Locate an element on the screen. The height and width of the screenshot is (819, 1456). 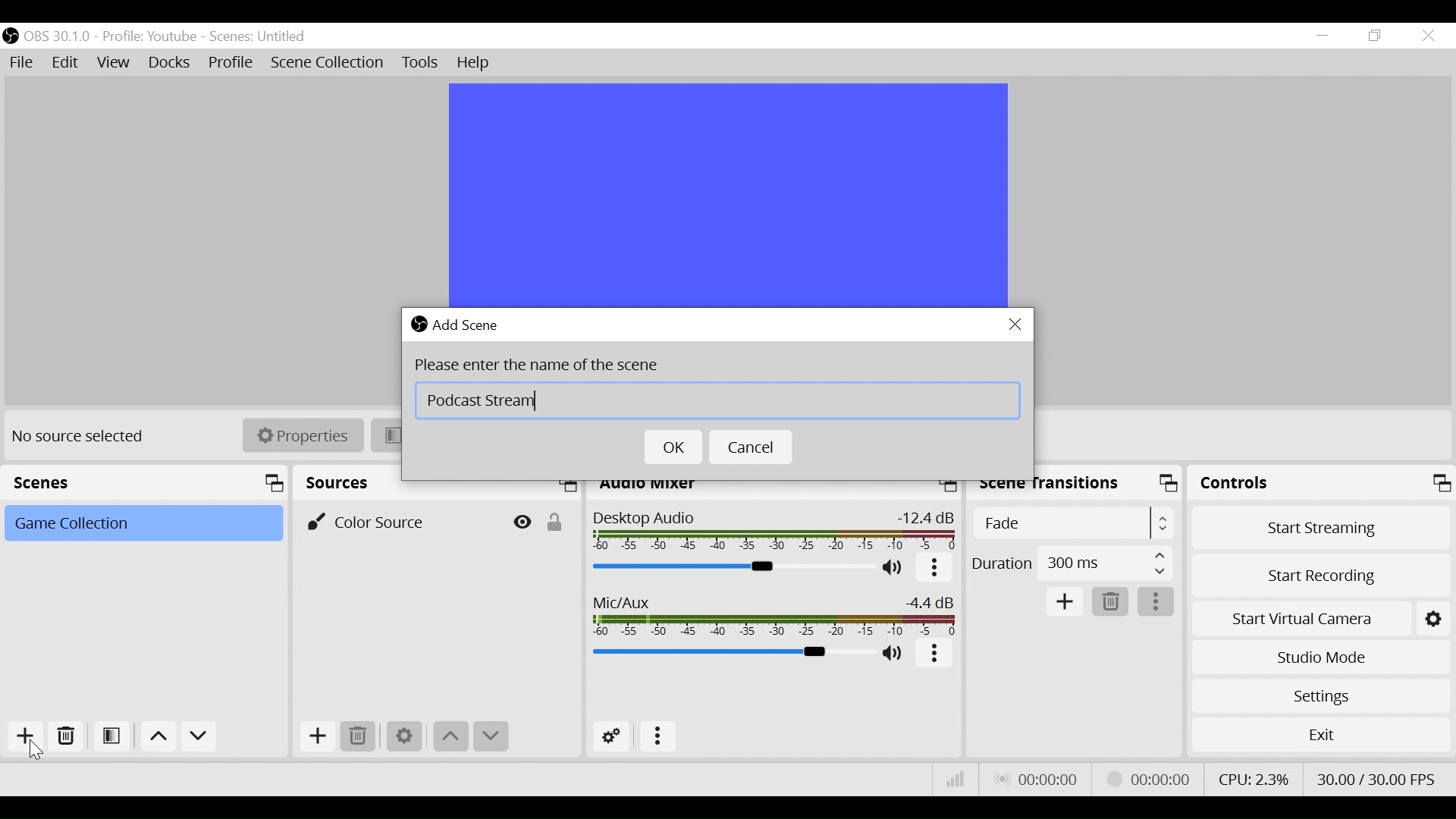
Frame Per Second is located at coordinates (1380, 778).